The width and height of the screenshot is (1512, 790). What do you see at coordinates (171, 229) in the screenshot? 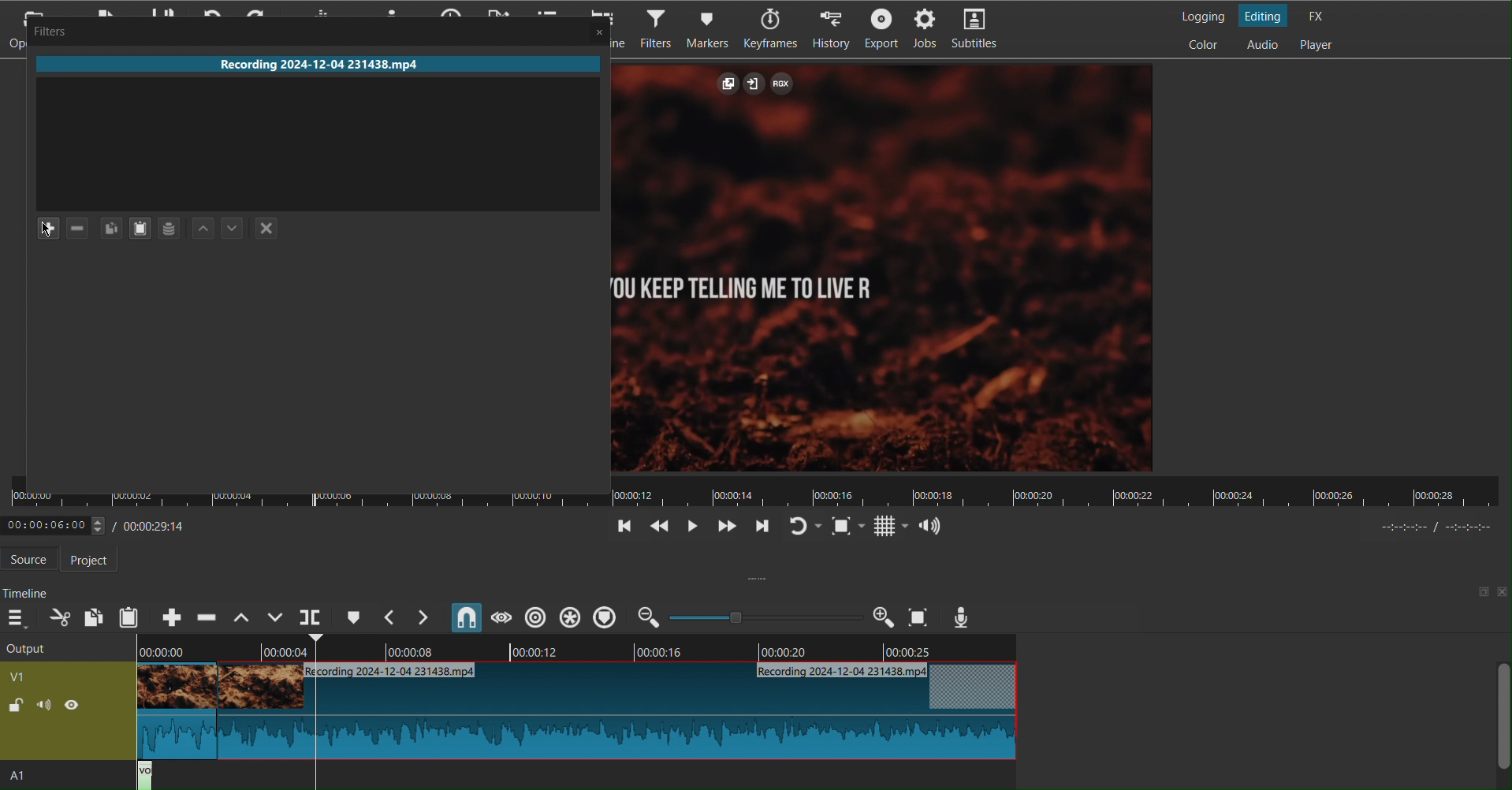
I see `Layer` at bounding box center [171, 229].